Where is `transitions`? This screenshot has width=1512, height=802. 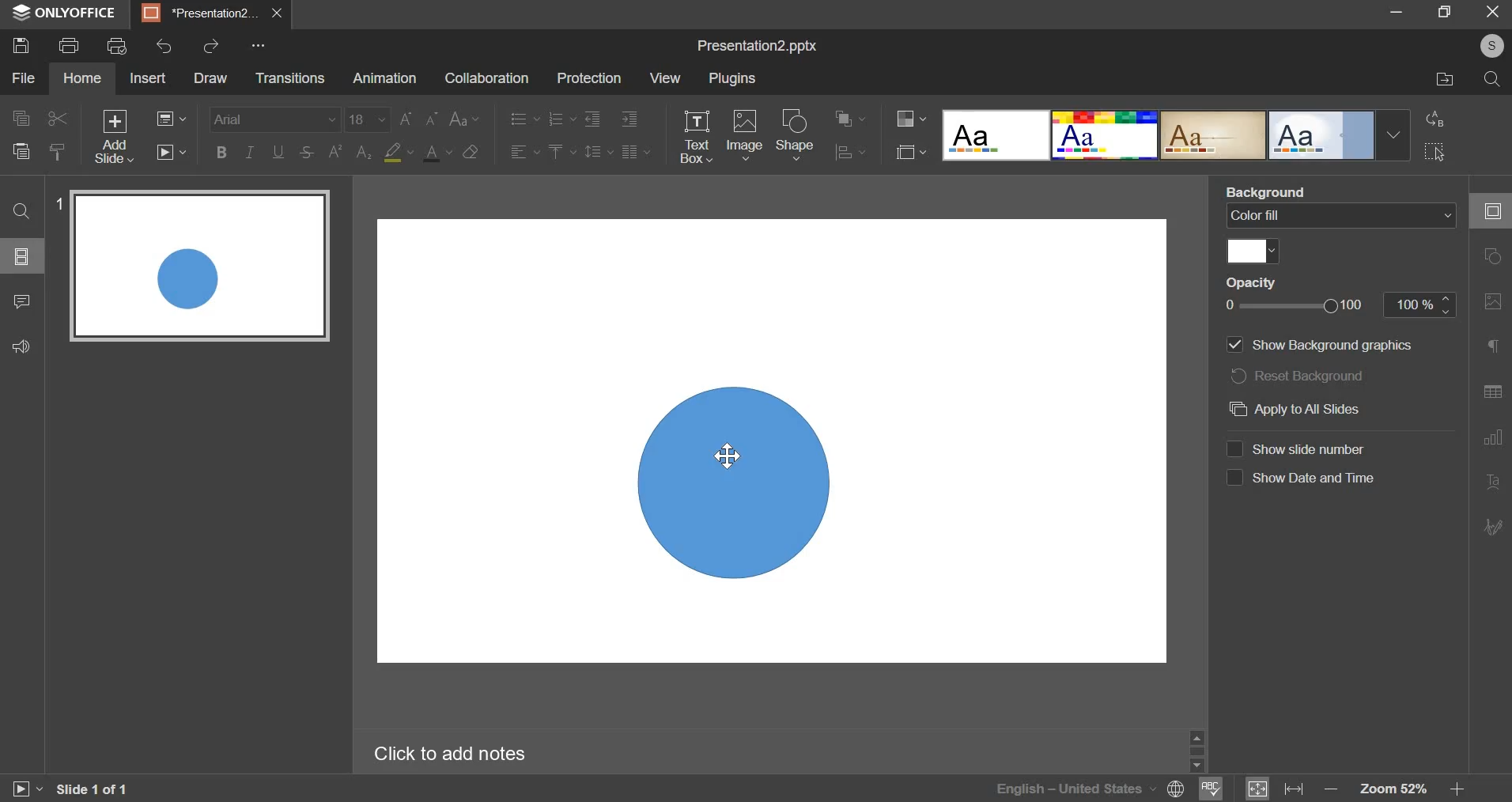
transitions is located at coordinates (290, 78).